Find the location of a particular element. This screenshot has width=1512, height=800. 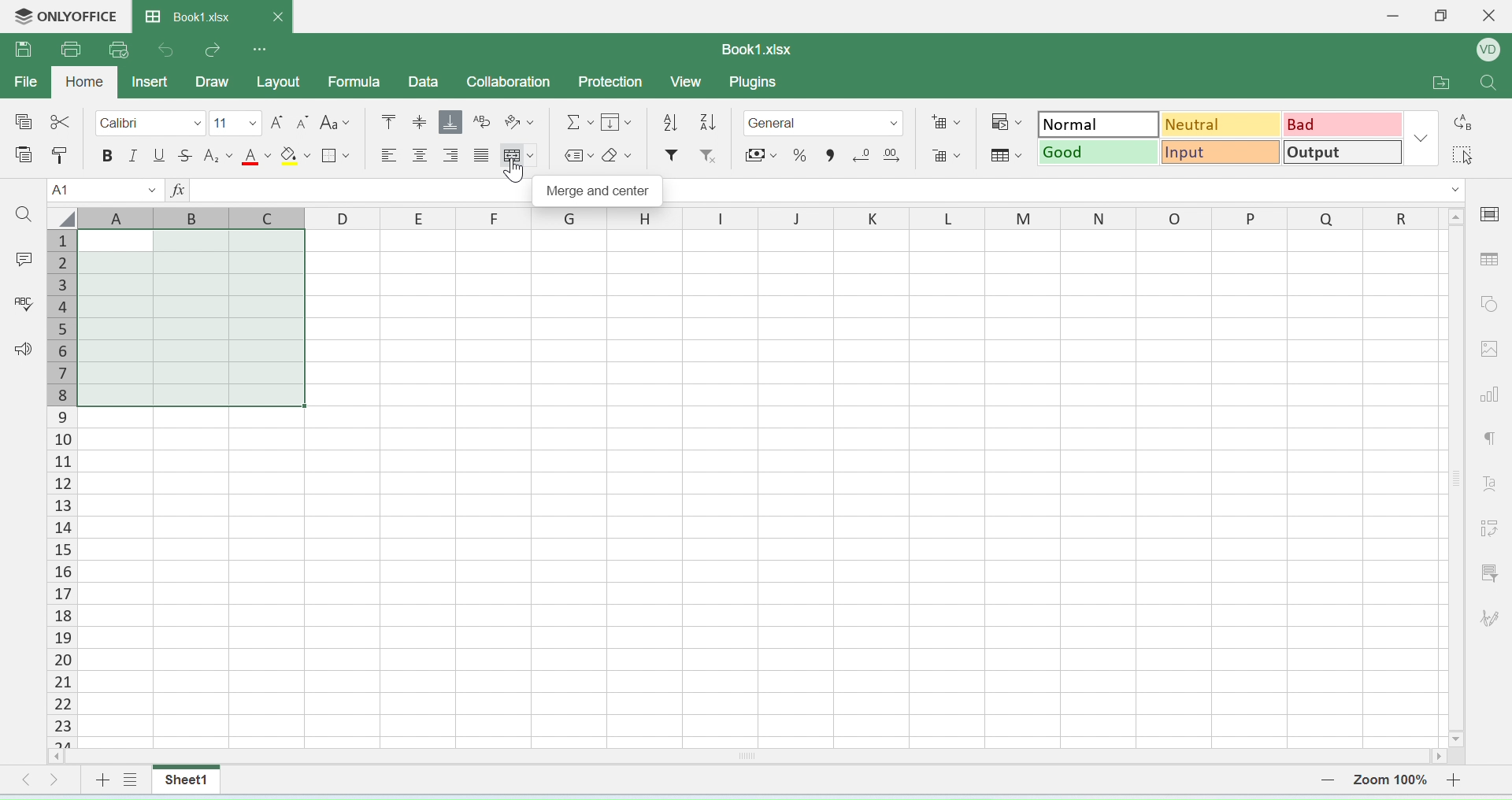

undo is located at coordinates (172, 48).